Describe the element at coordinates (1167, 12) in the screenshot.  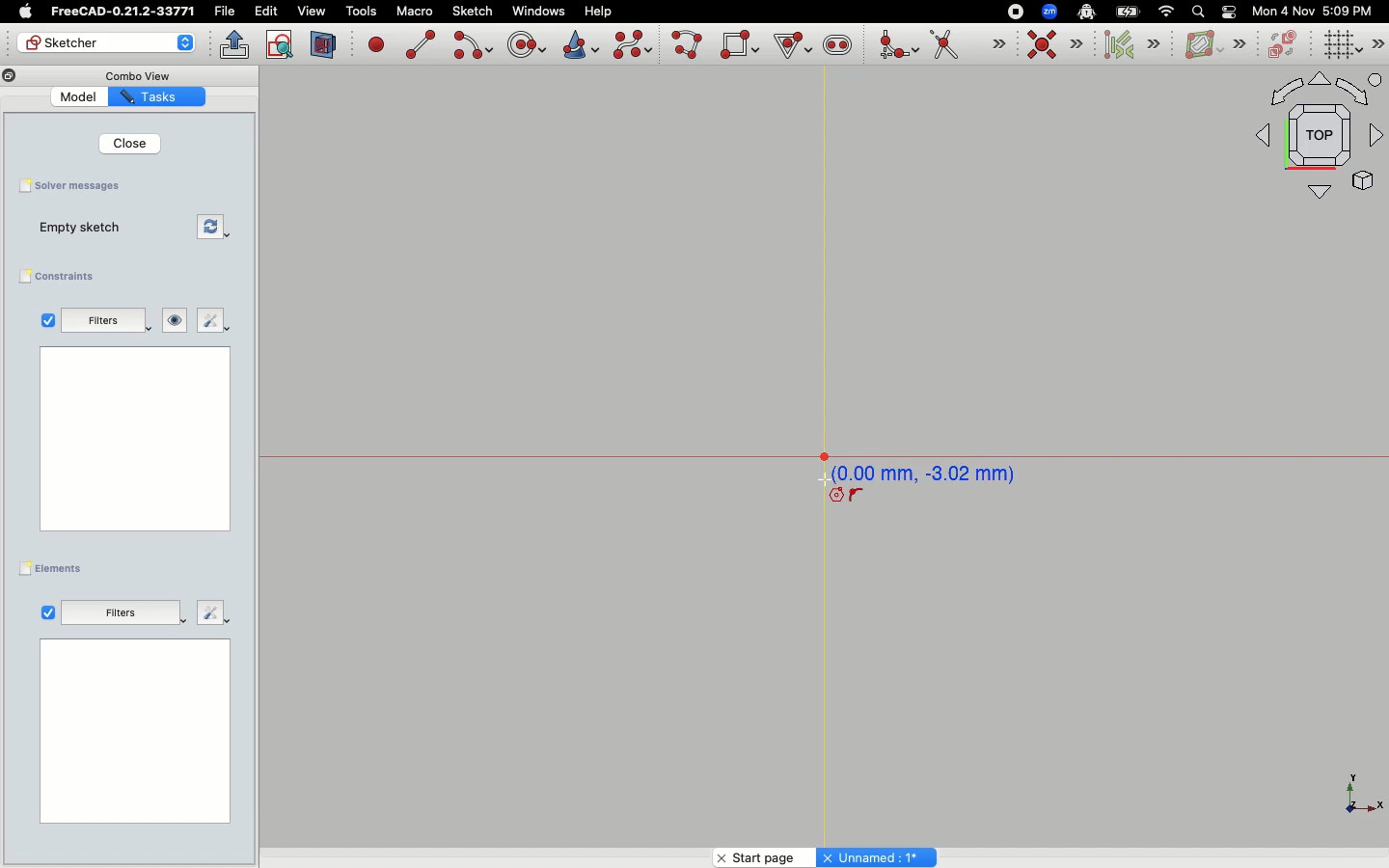
I see `Network` at that location.